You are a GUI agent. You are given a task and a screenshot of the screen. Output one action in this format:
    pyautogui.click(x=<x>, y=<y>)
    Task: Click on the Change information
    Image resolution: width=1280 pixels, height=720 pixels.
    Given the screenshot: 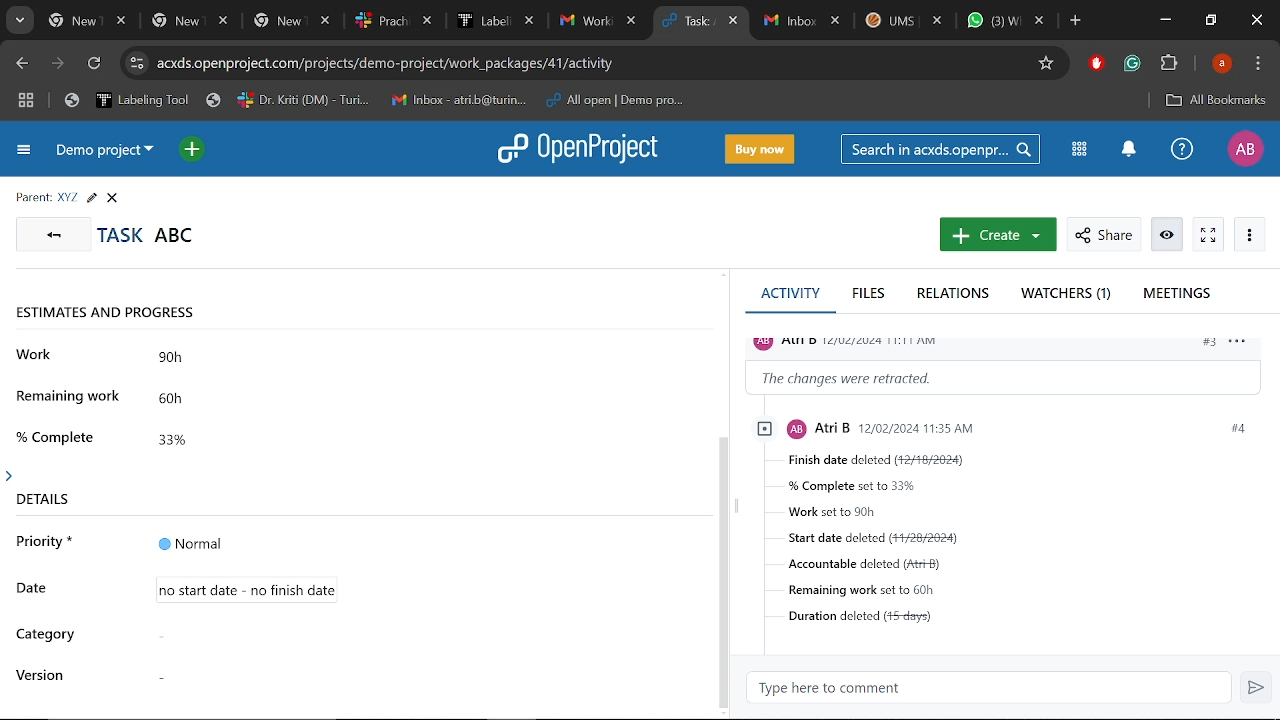 What is the action you would take?
    pyautogui.click(x=1006, y=377)
    